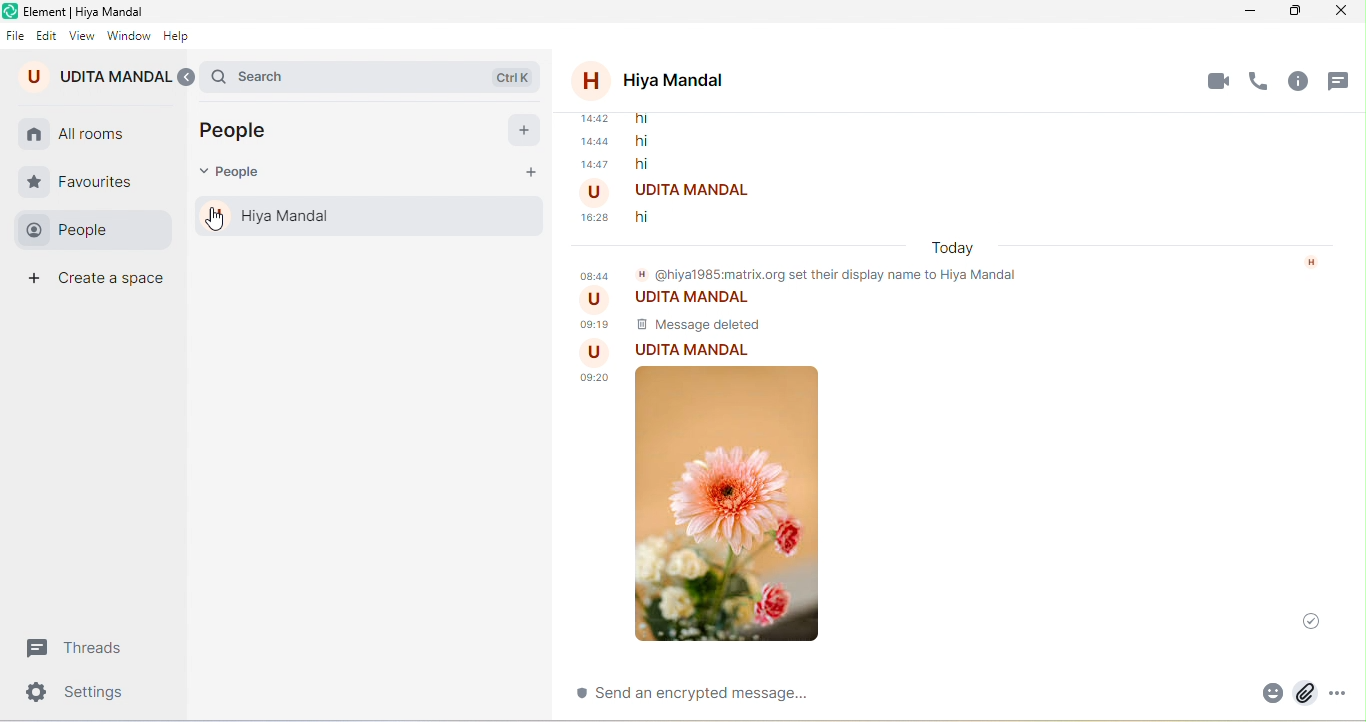 The image size is (1366, 722). What do you see at coordinates (699, 695) in the screenshot?
I see `send an encrypted message` at bounding box center [699, 695].